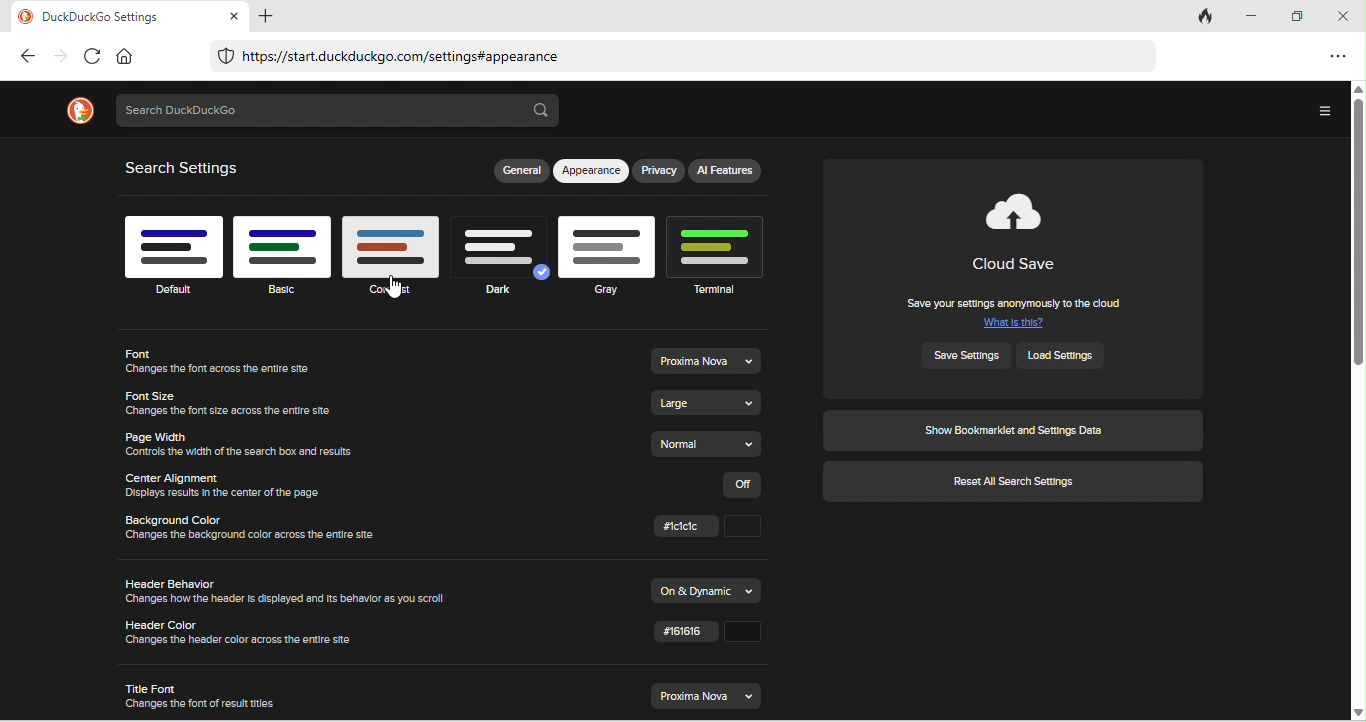  What do you see at coordinates (246, 634) in the screenshot?
I see `header color` at bounding box center [246, 634].